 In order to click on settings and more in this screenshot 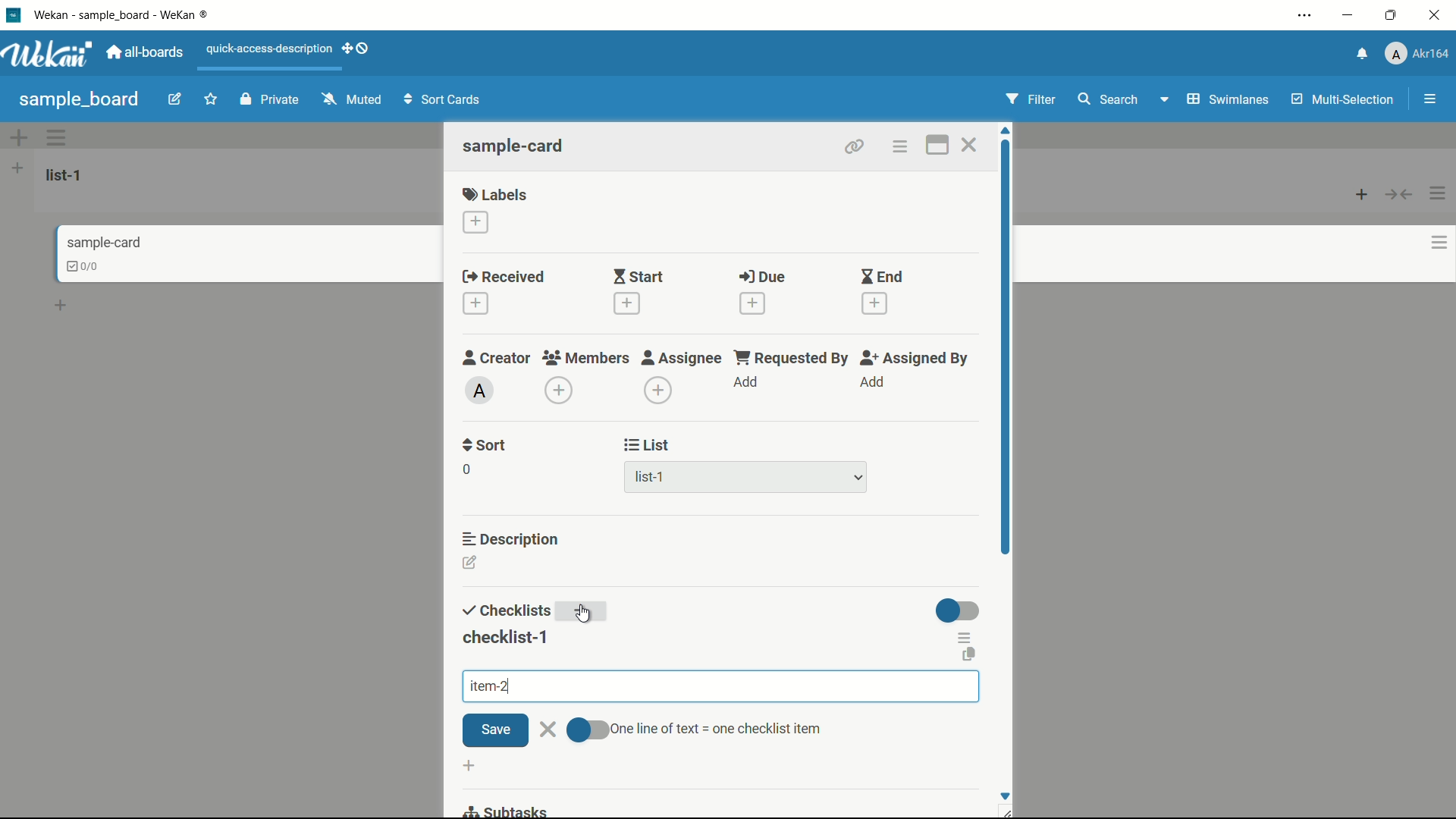, I will do `click(1307, 17)`.